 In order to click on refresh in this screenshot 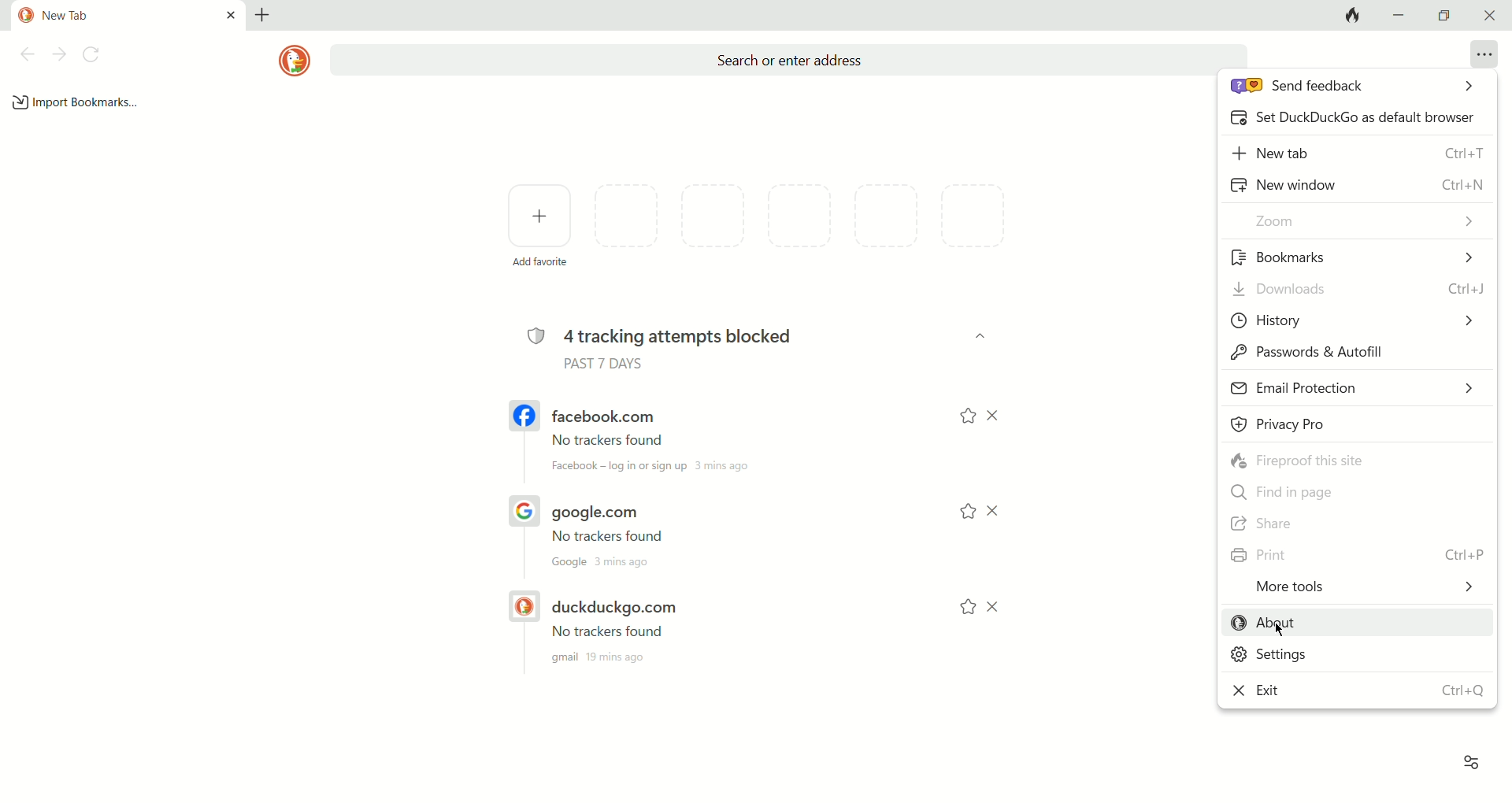, I will do `click(92, 54)`.